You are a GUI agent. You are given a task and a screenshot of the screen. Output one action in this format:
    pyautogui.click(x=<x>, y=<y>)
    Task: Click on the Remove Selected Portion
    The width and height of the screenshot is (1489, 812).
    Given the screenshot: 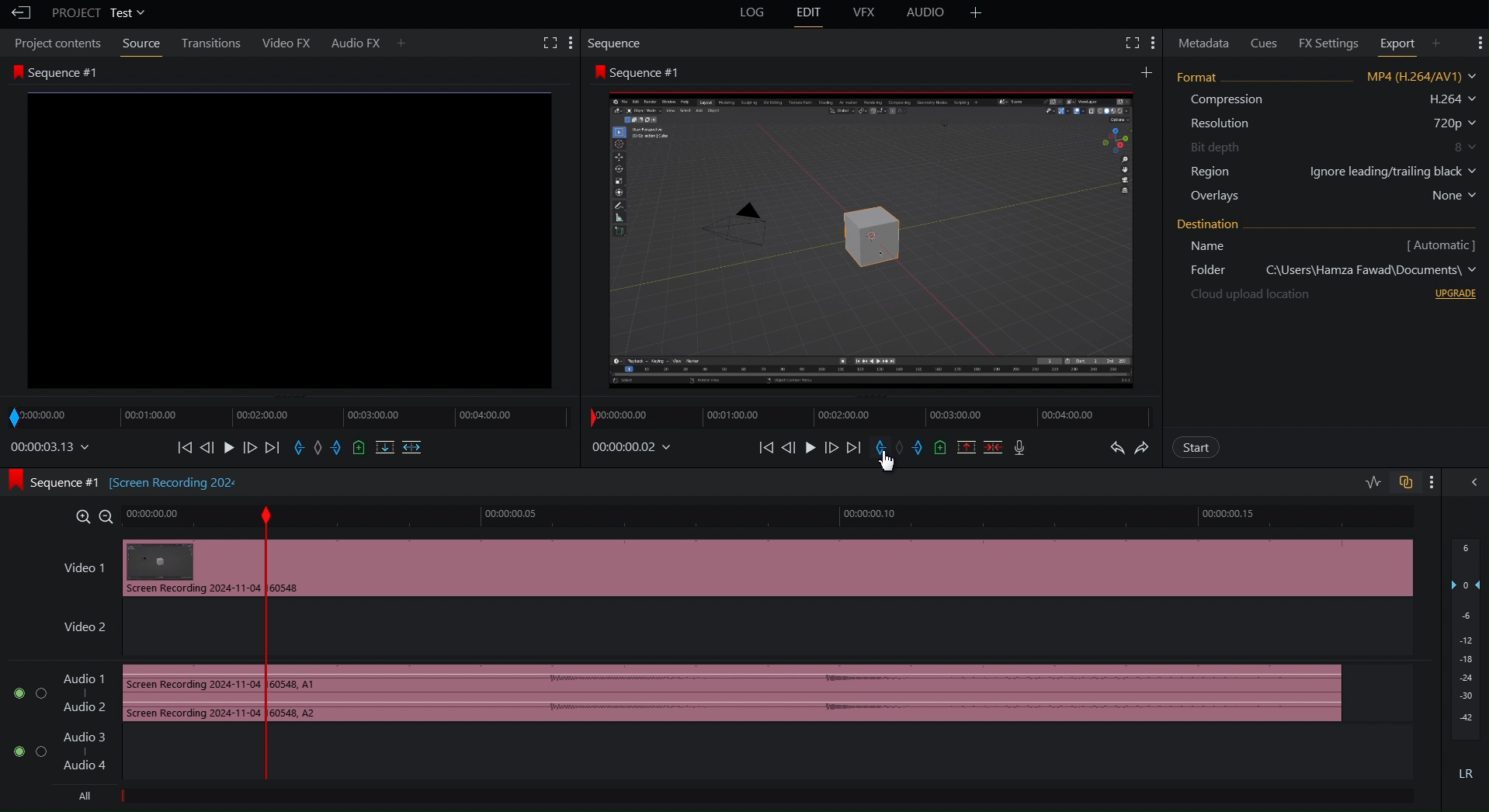 What is the action you would take?
    pyautogui.click(x=967, y=447)
    